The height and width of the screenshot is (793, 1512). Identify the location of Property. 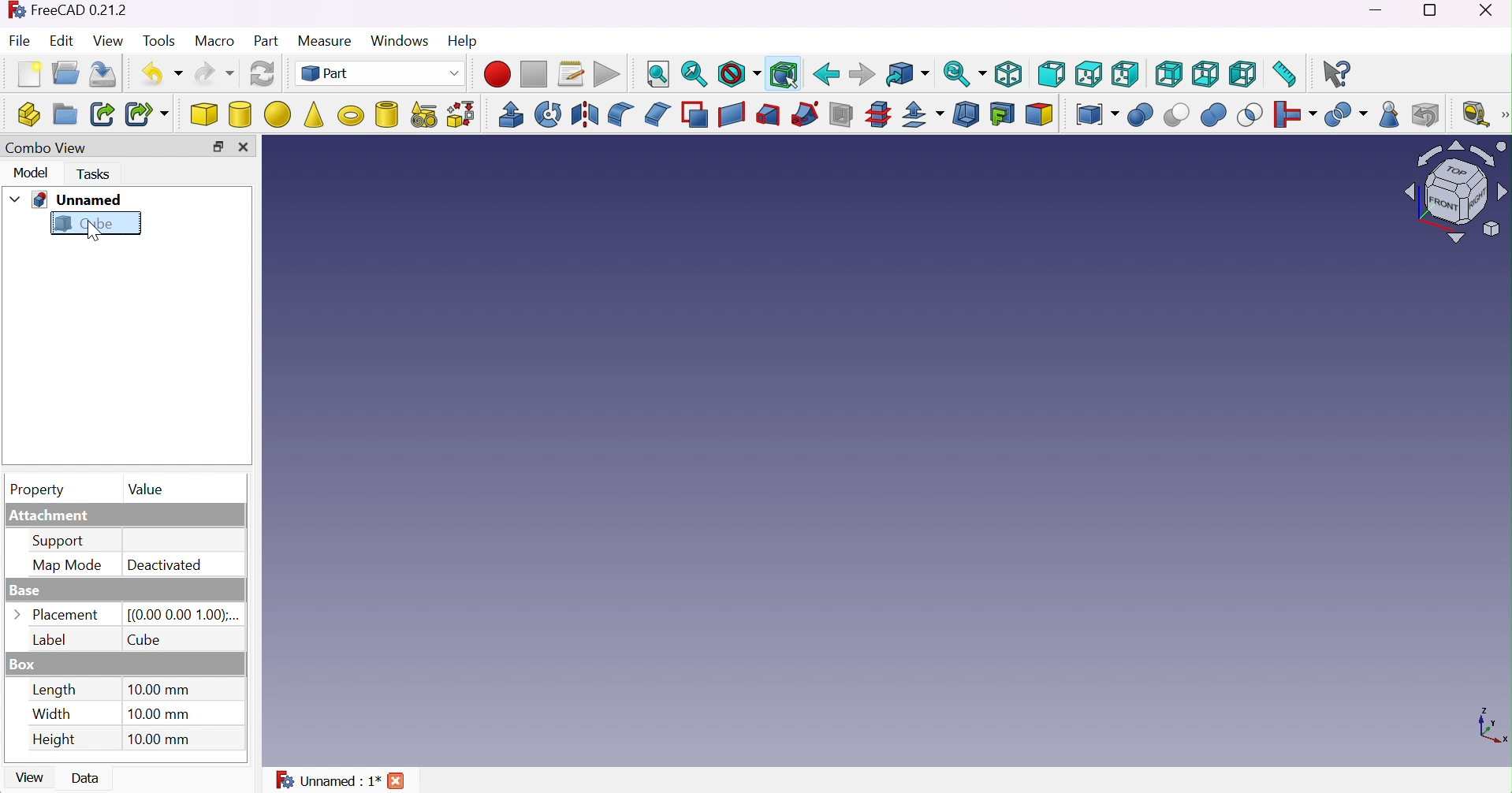
(42, 490).